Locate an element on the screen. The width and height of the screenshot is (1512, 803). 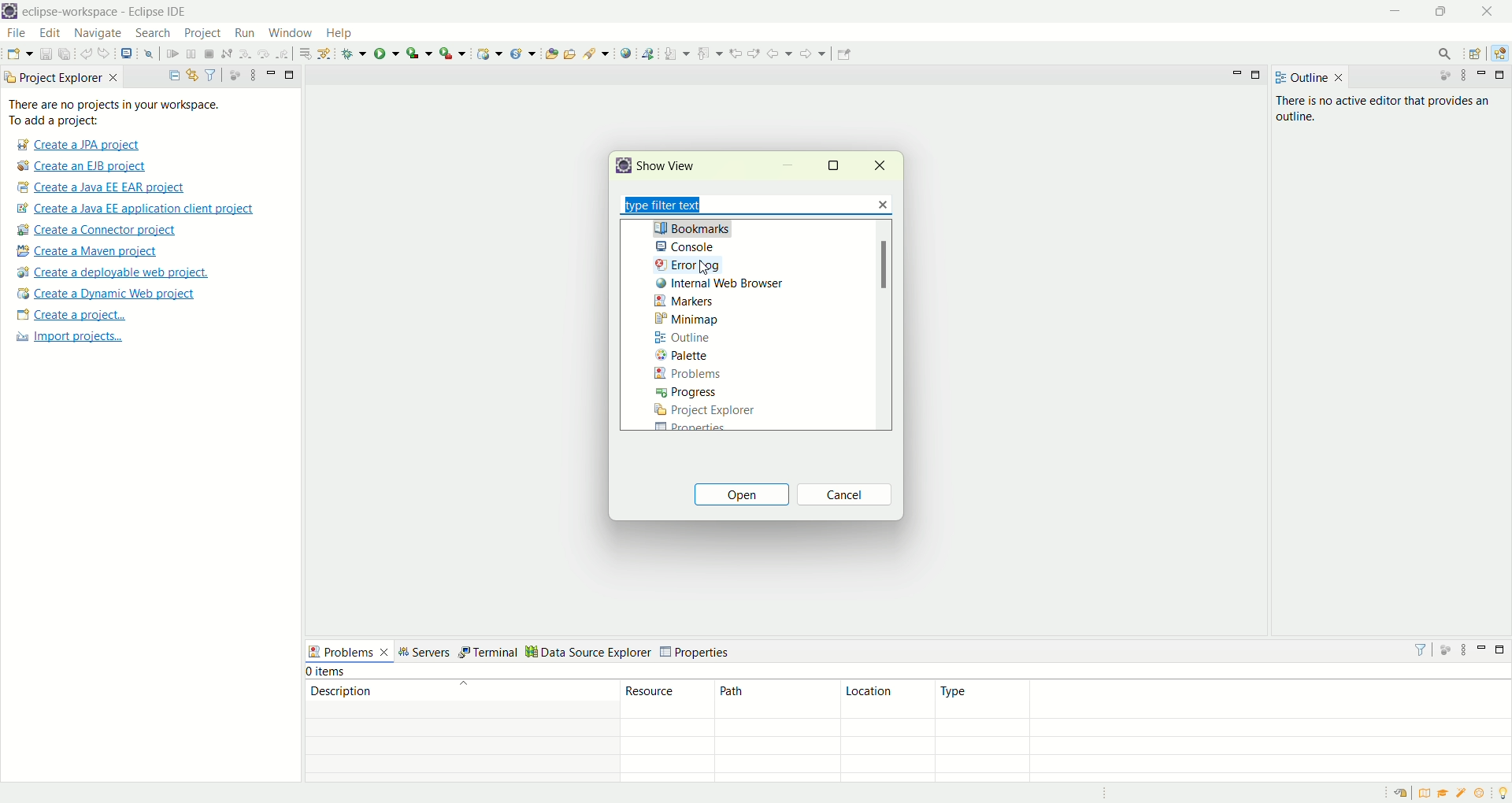
new is located at coordinates (18, 54).